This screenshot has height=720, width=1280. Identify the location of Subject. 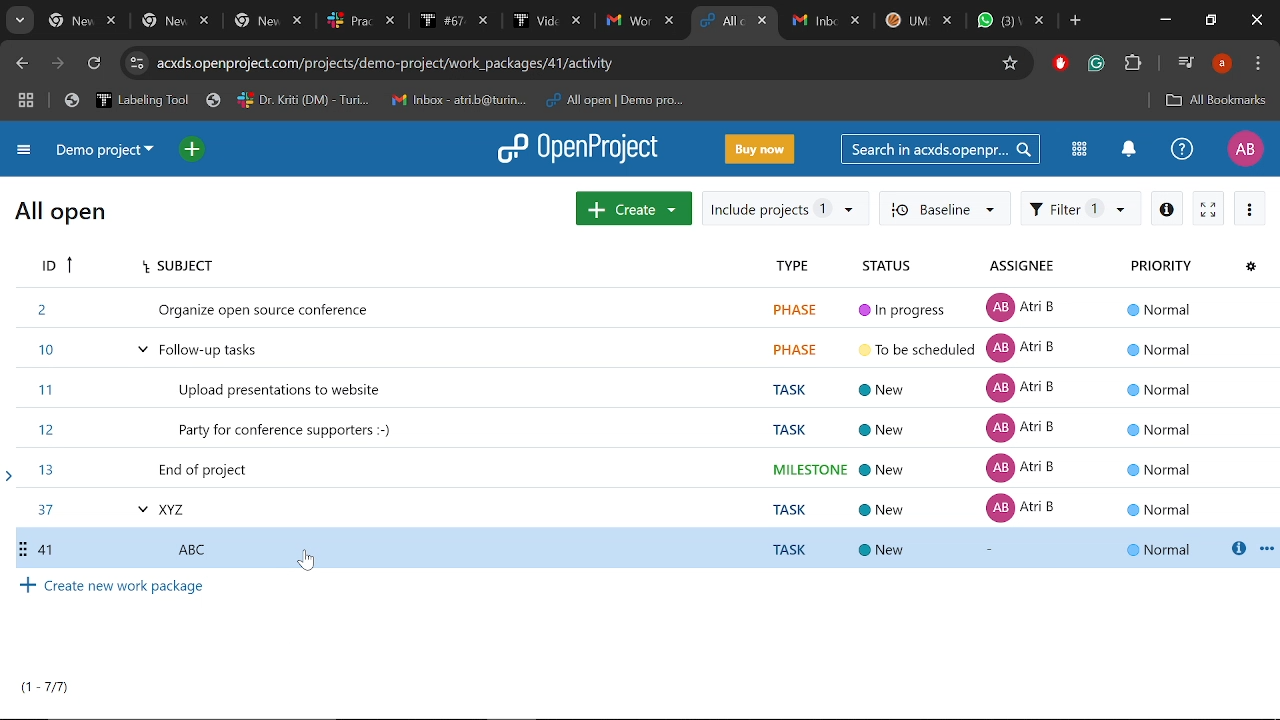
(422, 267).